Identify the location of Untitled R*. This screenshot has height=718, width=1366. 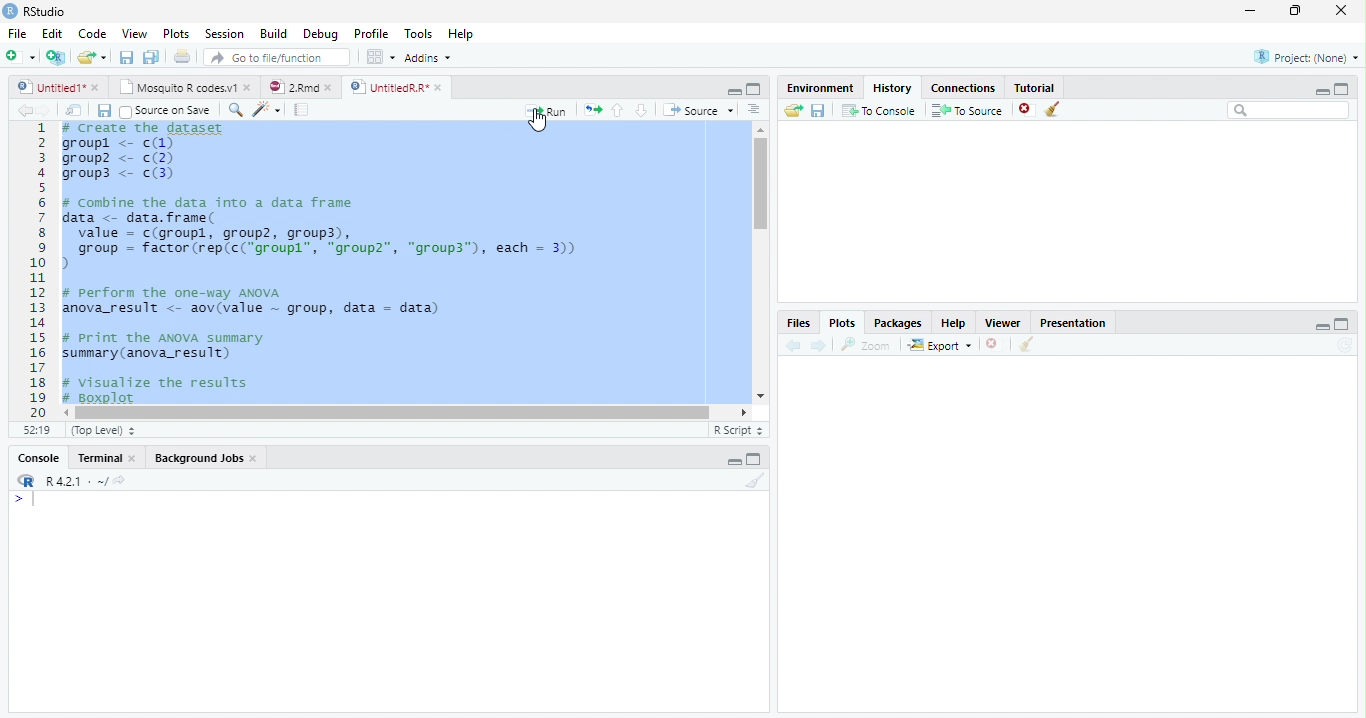
(396, 87).